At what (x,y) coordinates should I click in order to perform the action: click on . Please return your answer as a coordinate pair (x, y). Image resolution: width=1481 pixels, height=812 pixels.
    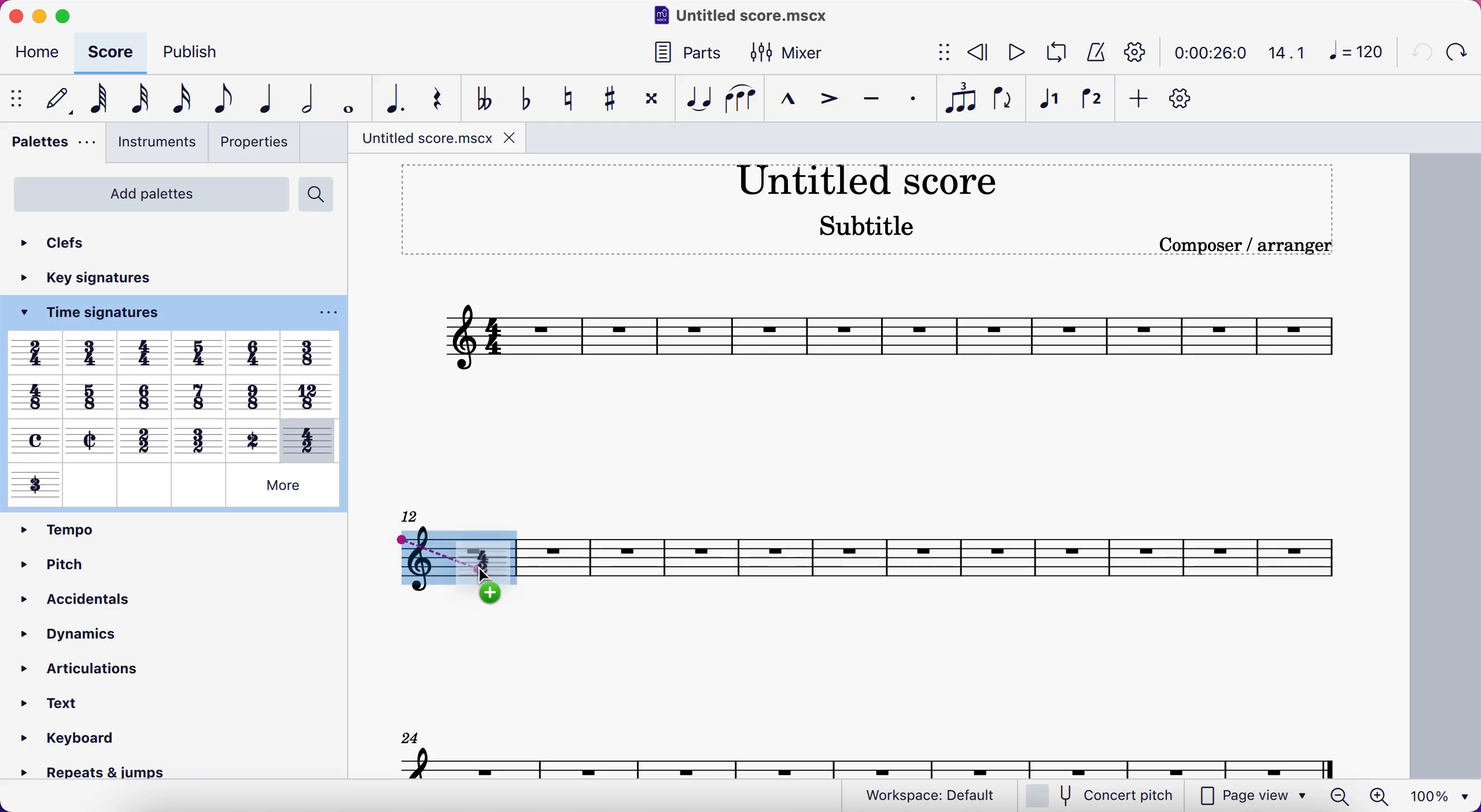
    Looking at the image, I should click on (143, 394).